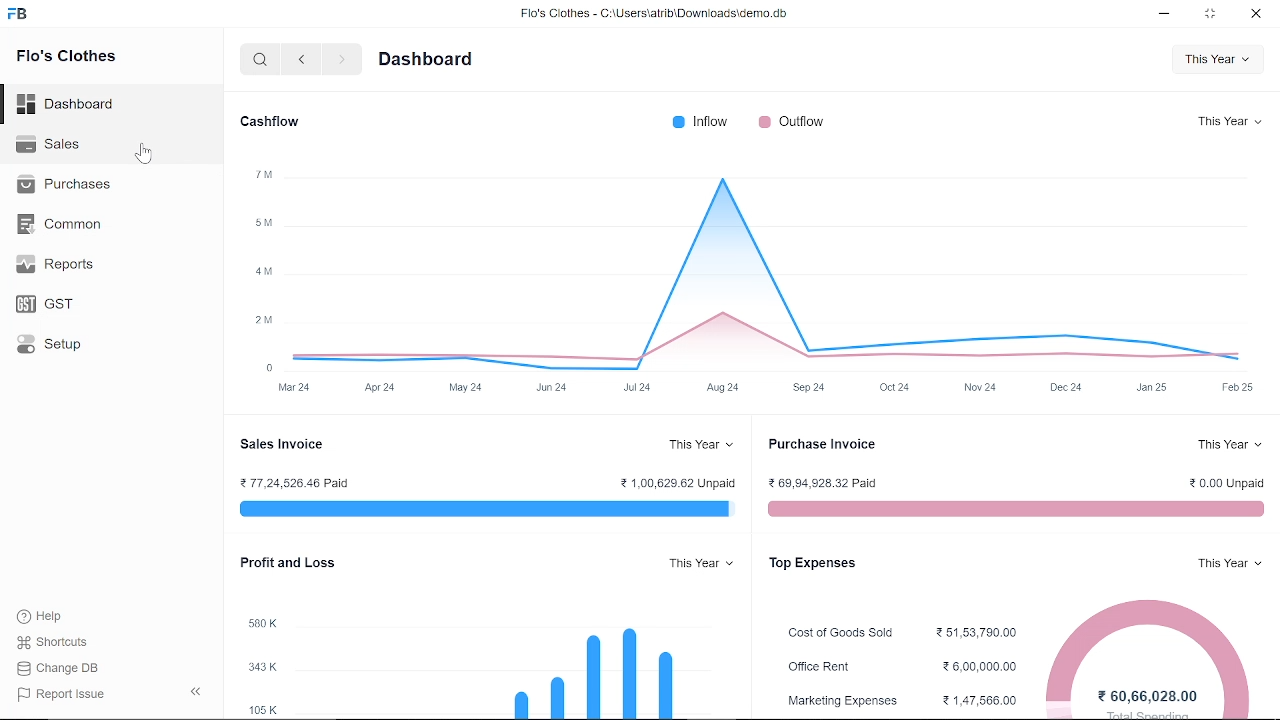 This screenshot has height=720, width=1280. Describe the element at coordinates (679, 480) in the screenshot. I see `2 1.00,629.62 Unpaid` at that location.